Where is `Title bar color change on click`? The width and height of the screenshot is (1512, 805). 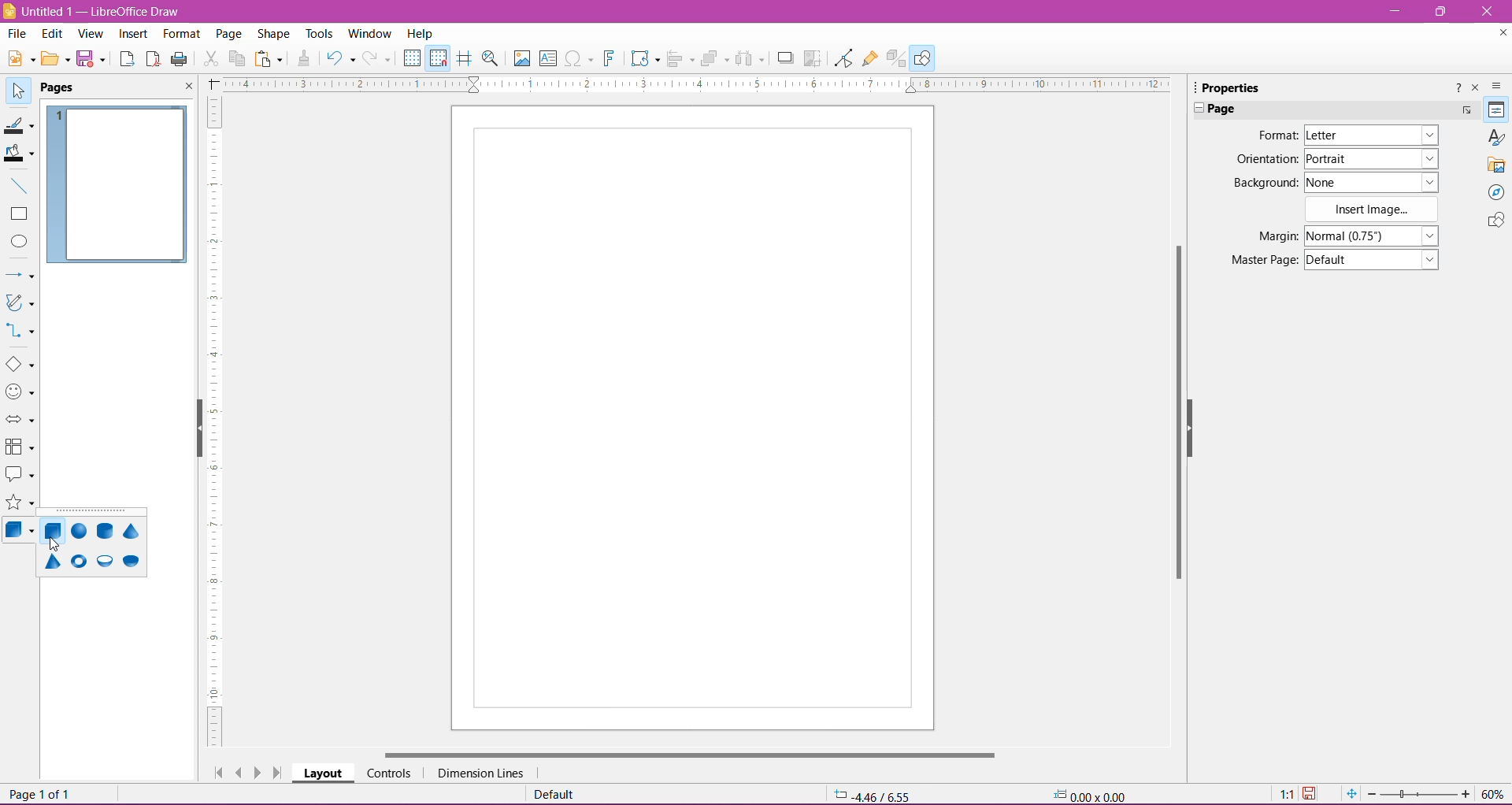 Title bar color change on click is located at coordinates (757, 12).